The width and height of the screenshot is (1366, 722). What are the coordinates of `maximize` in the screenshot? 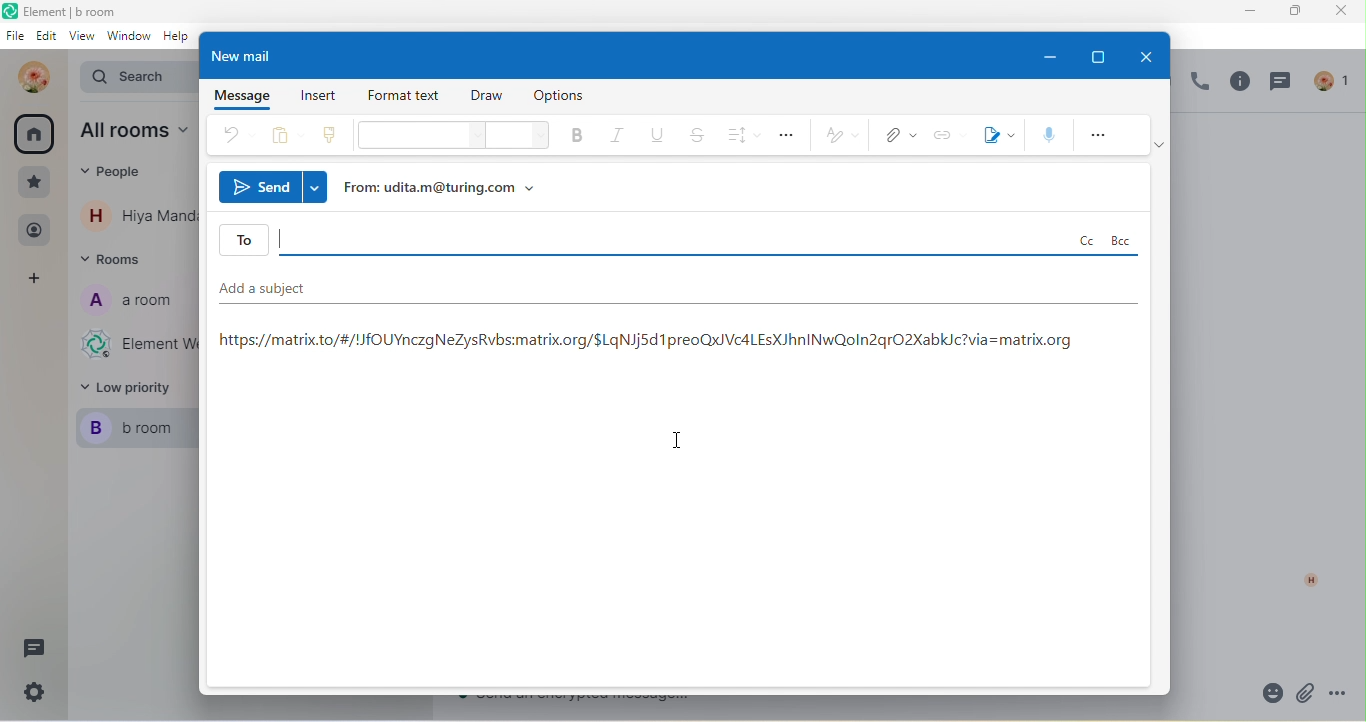 It's located at (1104, 53).